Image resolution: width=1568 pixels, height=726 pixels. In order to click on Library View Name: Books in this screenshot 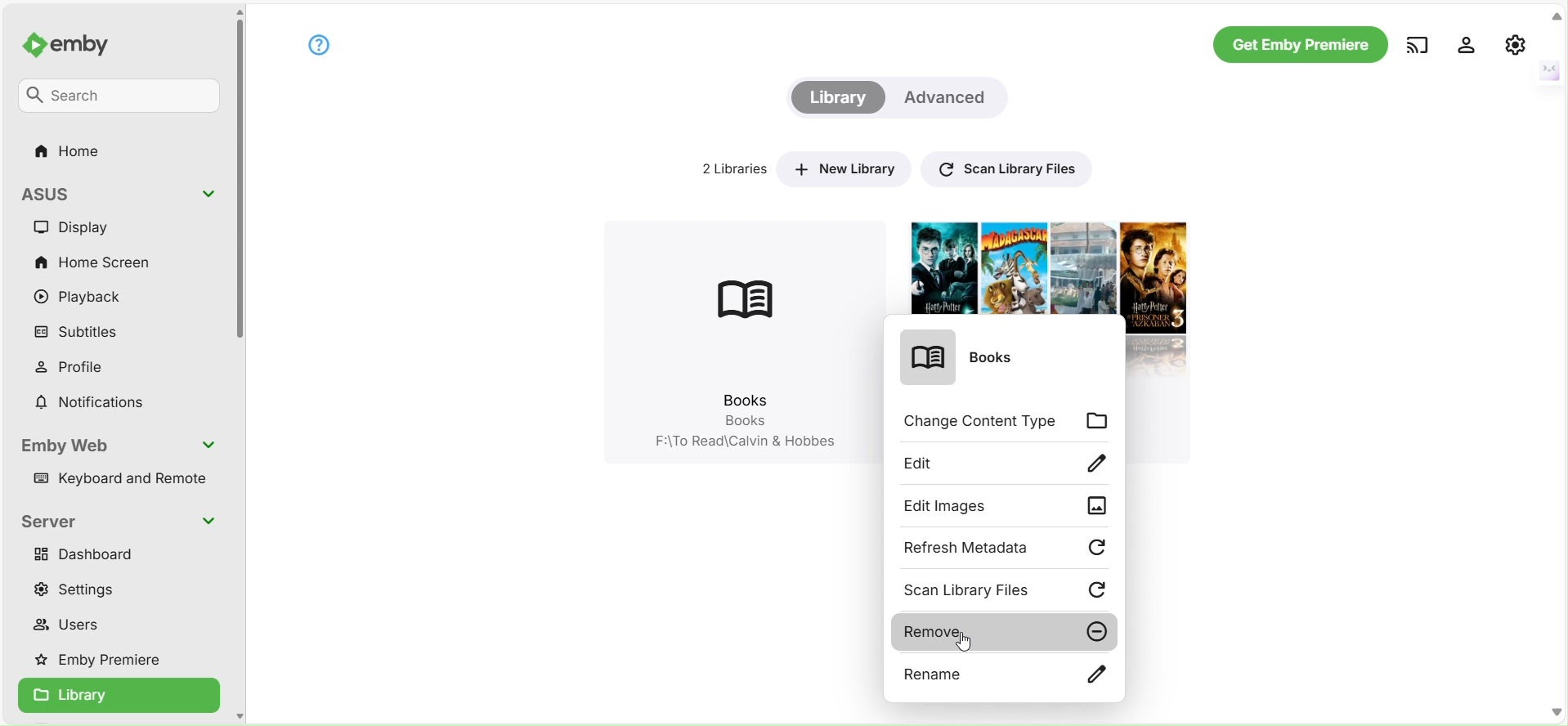, I will do `click(972, 361)`.